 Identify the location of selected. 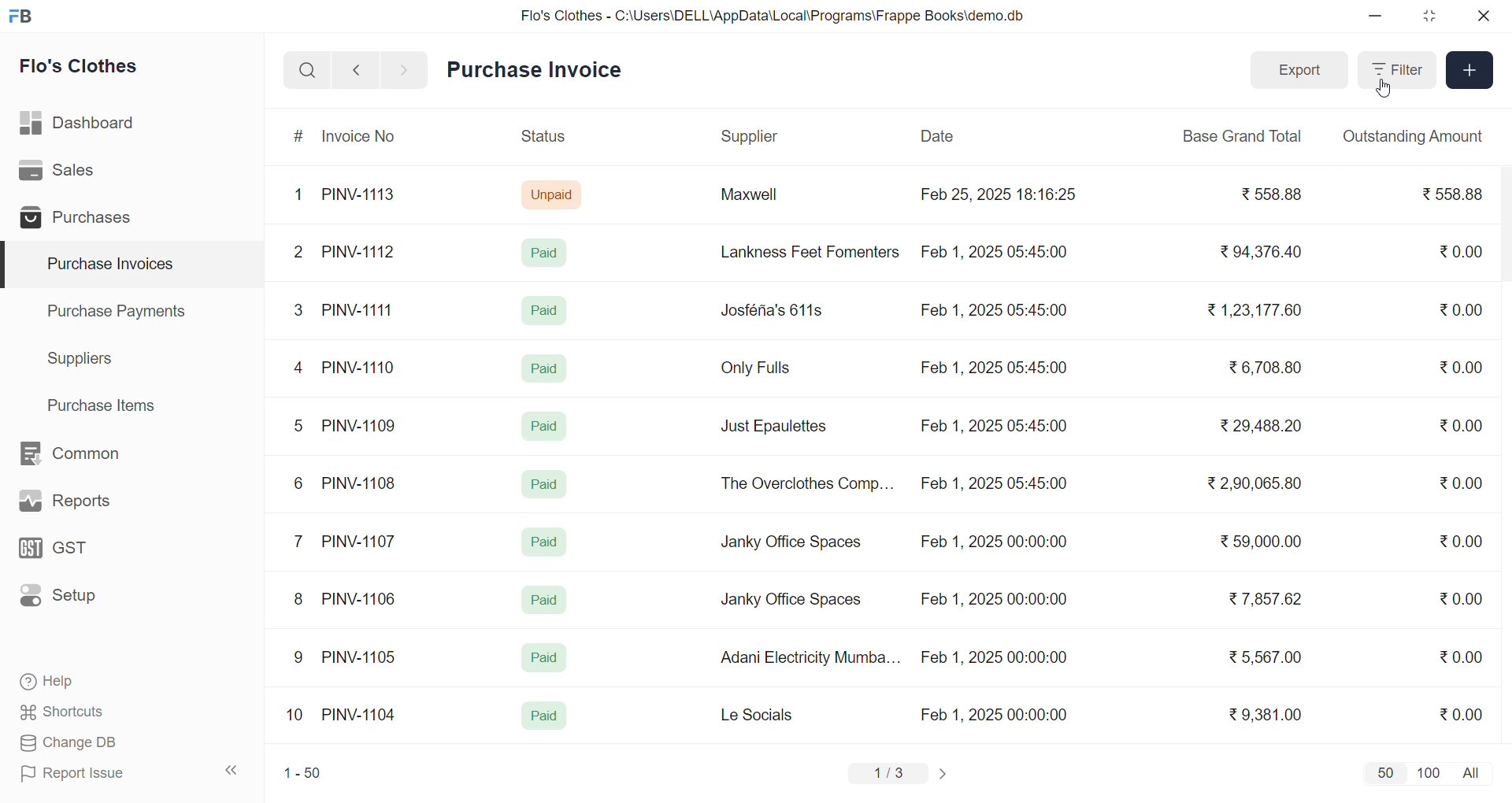
(9, 265).